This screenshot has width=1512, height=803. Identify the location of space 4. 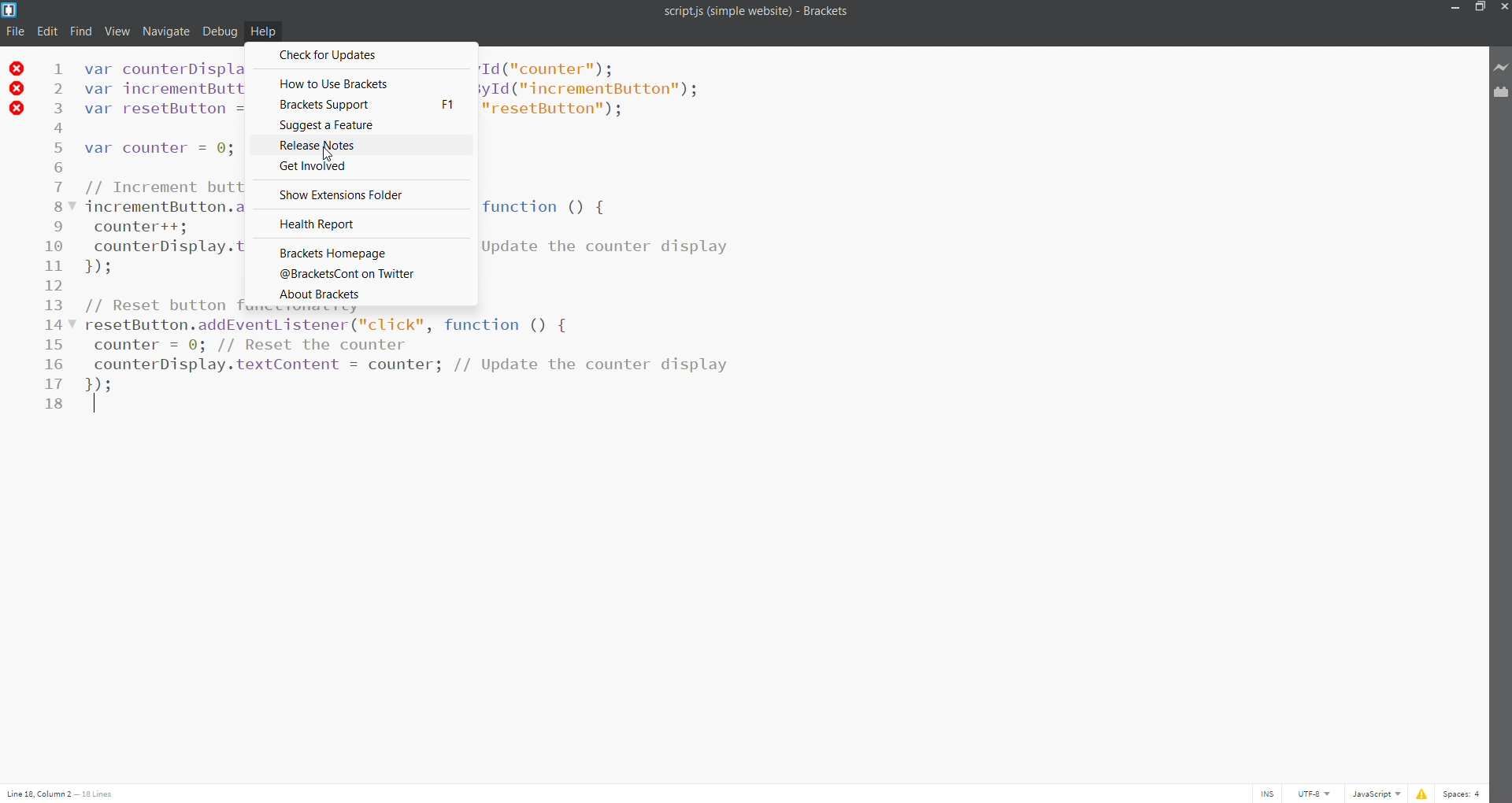
(1466, 792).